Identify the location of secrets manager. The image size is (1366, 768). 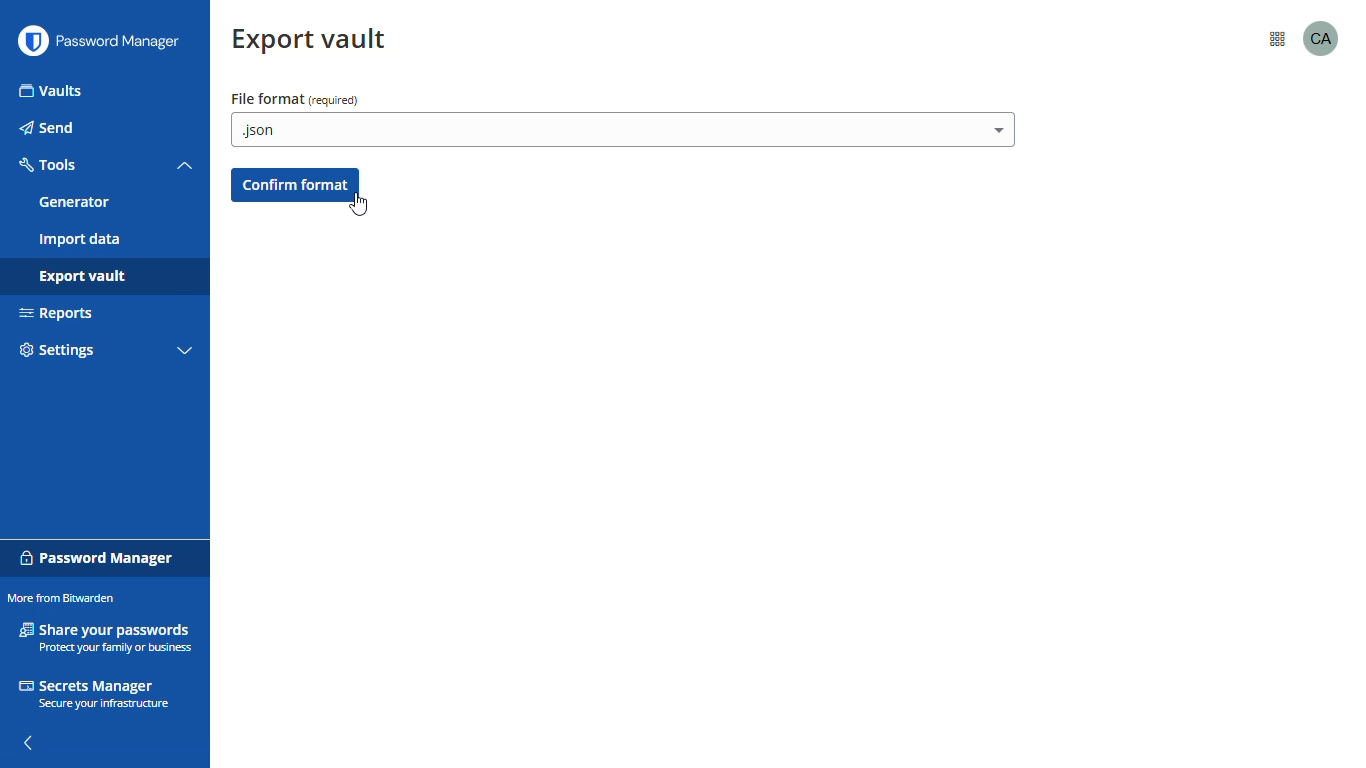
(97, 695).